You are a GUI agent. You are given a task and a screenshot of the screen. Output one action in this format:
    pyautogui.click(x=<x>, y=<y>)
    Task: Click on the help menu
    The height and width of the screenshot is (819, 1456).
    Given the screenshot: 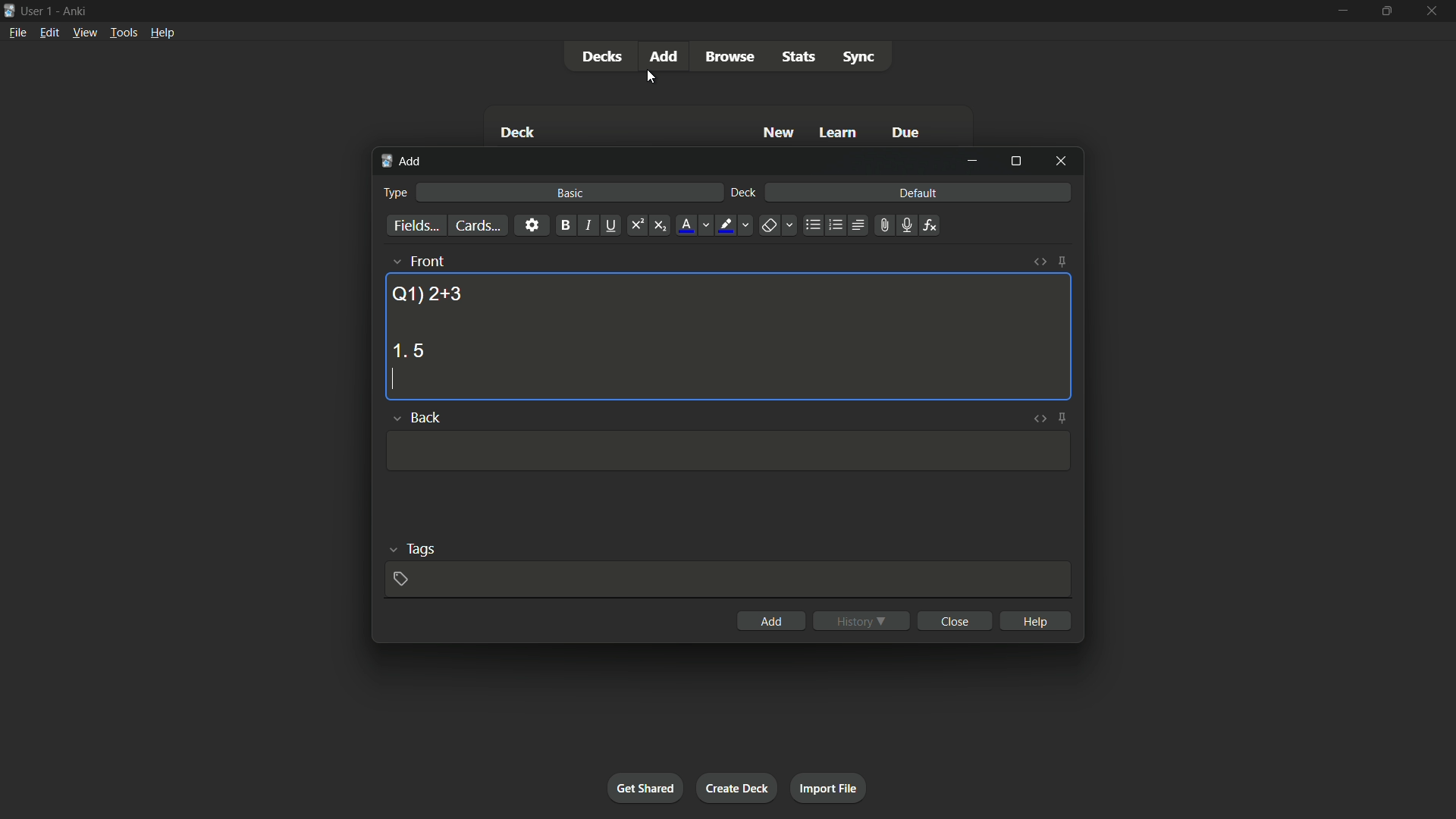 What is the action you would take?
    pyautogui.click(x=162, y=33)
    